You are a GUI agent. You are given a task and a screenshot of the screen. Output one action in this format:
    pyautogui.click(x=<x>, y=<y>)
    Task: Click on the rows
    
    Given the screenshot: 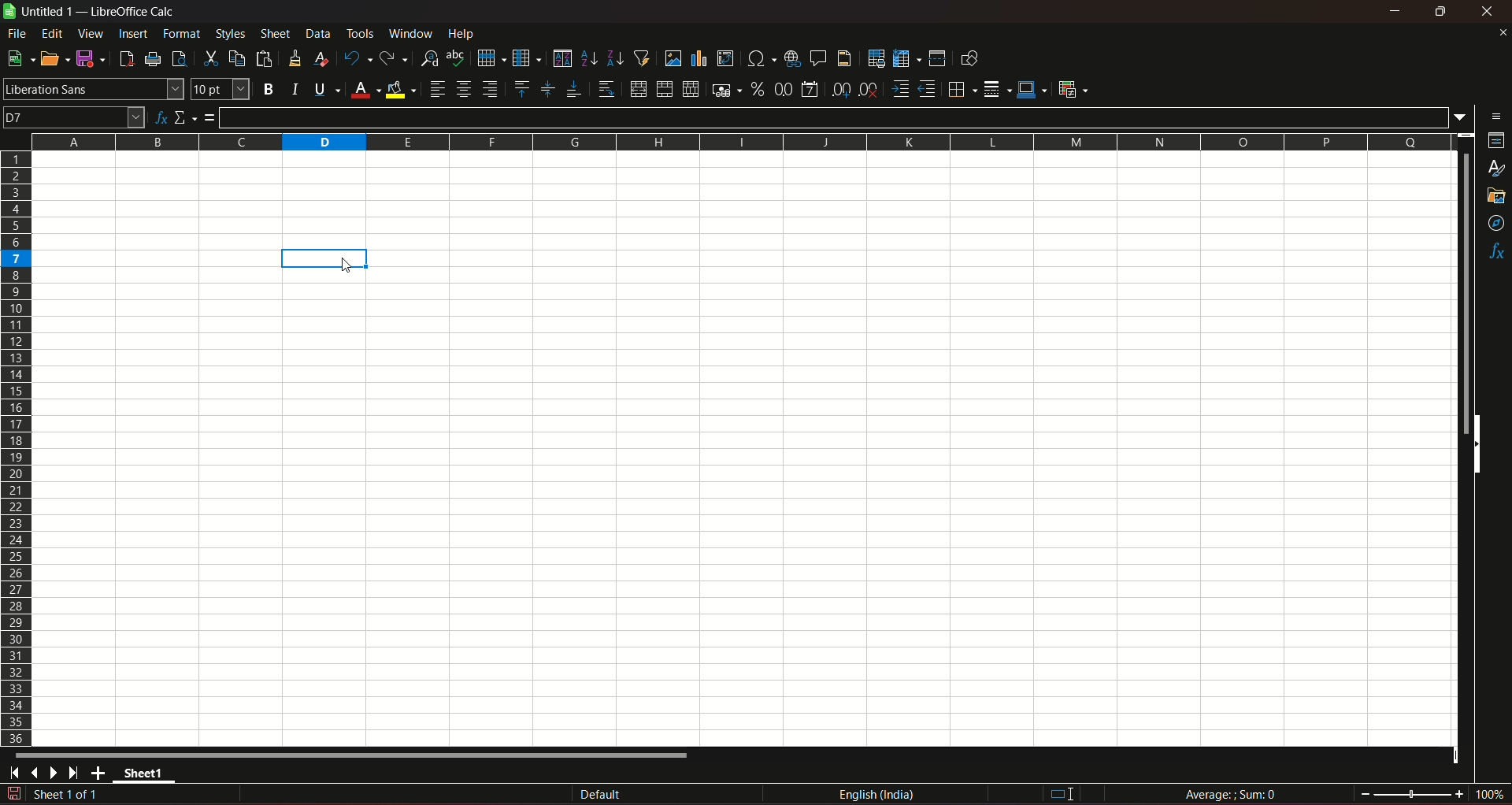 What is the action you would take?
    pyautogui.click(x=17, y=447)
    